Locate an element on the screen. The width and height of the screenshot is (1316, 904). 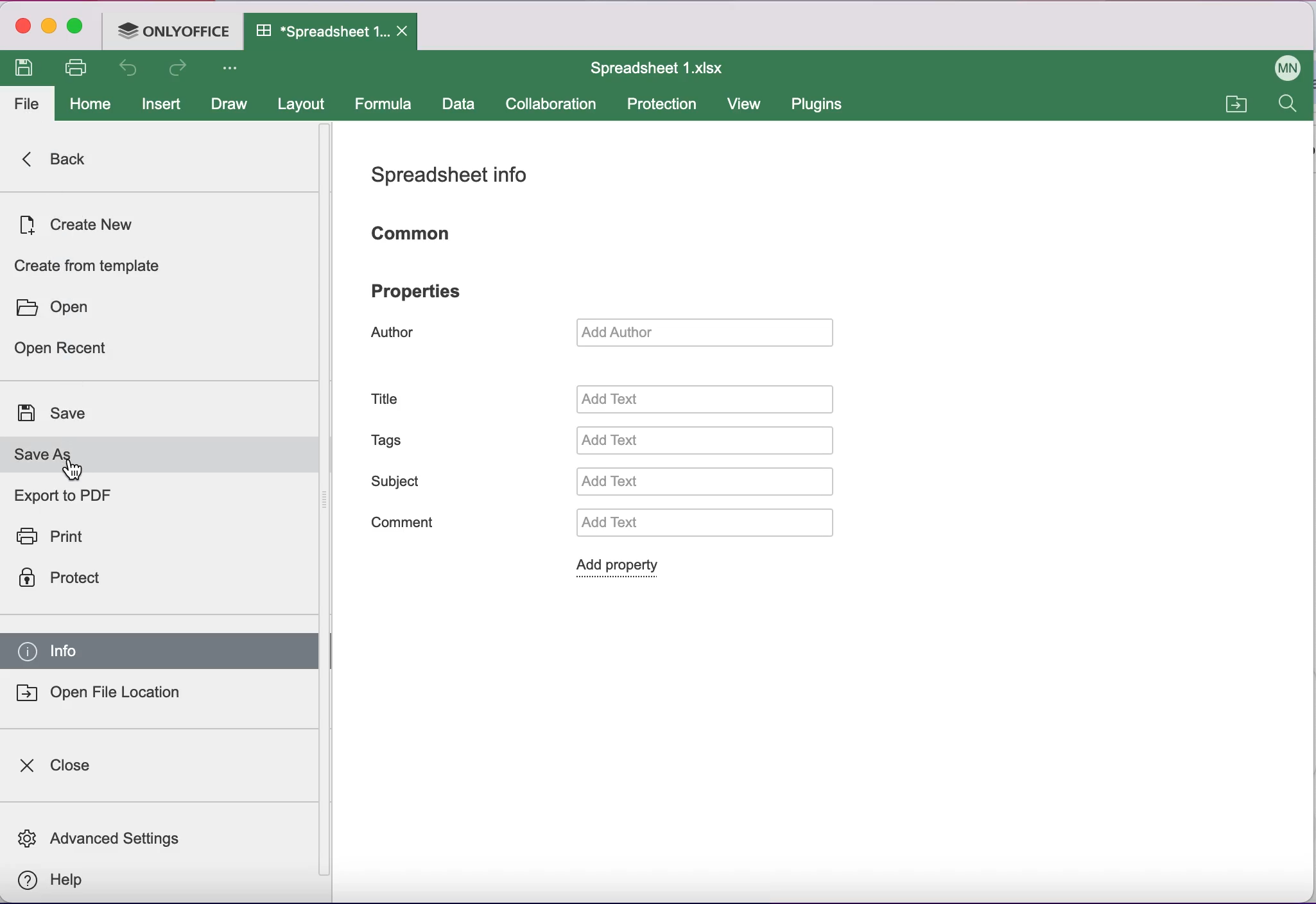
print is located at coordinates (73, 535).